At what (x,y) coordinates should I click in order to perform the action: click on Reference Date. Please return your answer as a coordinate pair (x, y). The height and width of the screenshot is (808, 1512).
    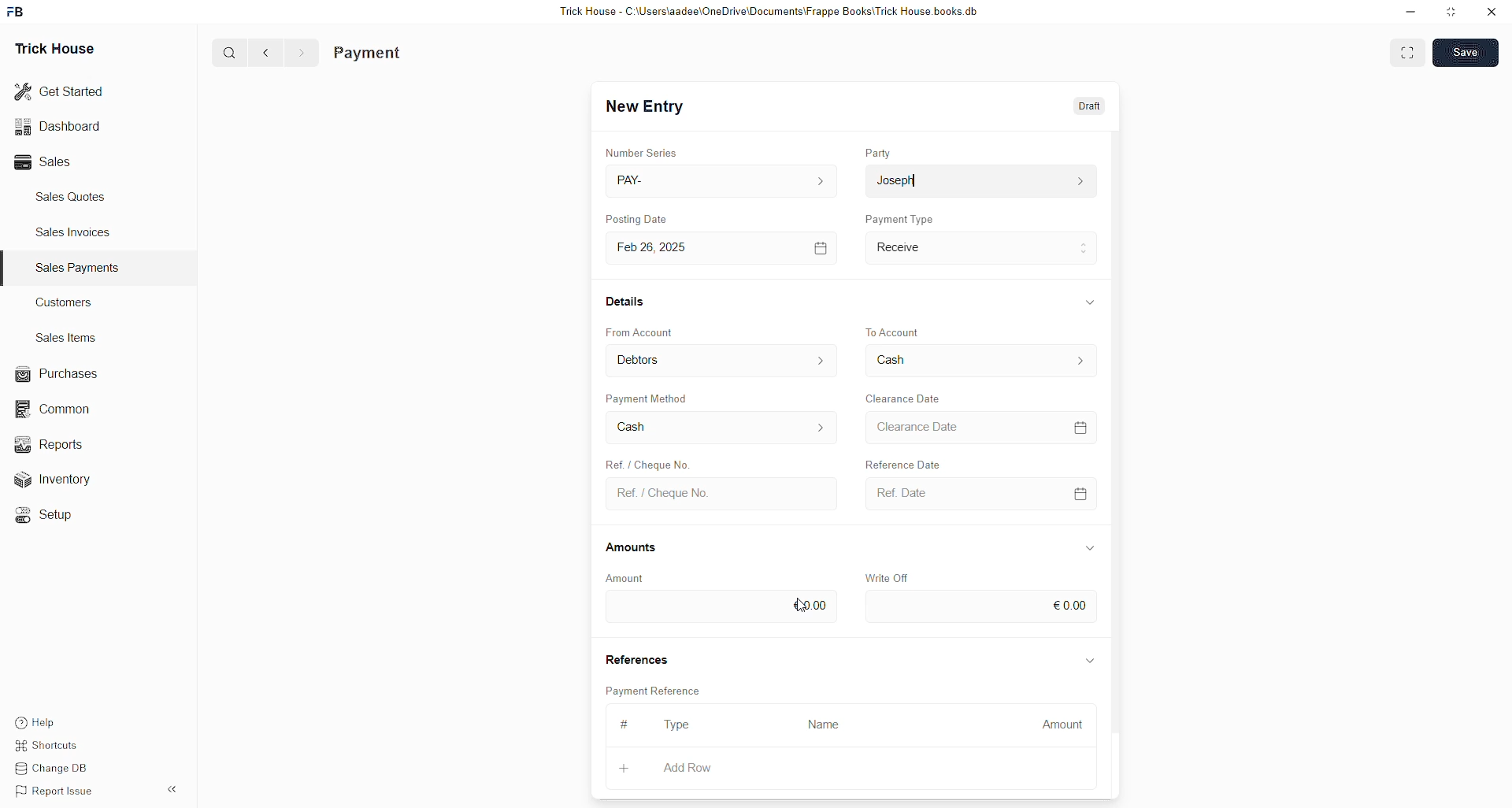
    Looking at the image, I should click on (902, 462).